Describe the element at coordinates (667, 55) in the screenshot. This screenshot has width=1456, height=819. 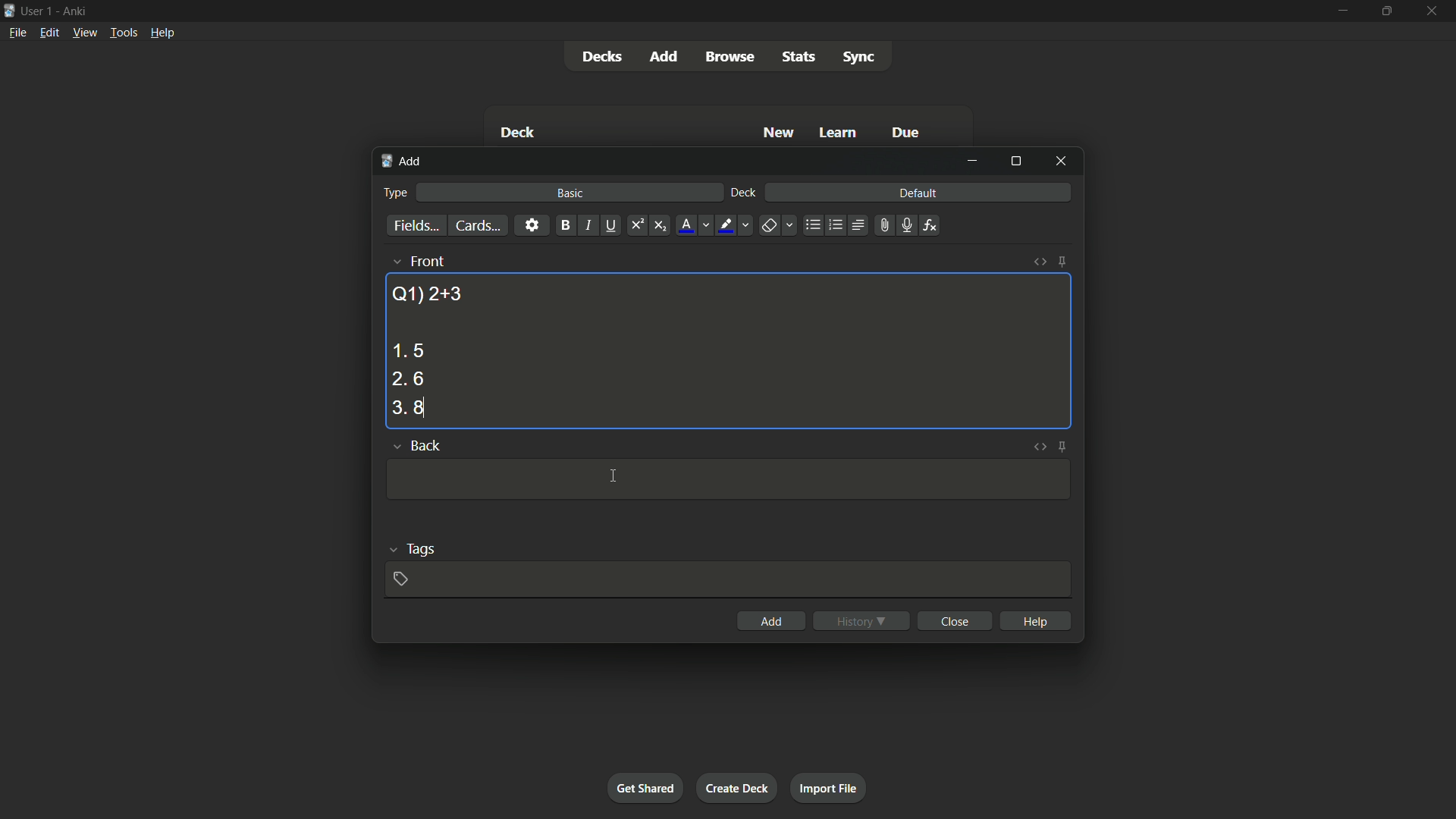
I see `add` at that location.